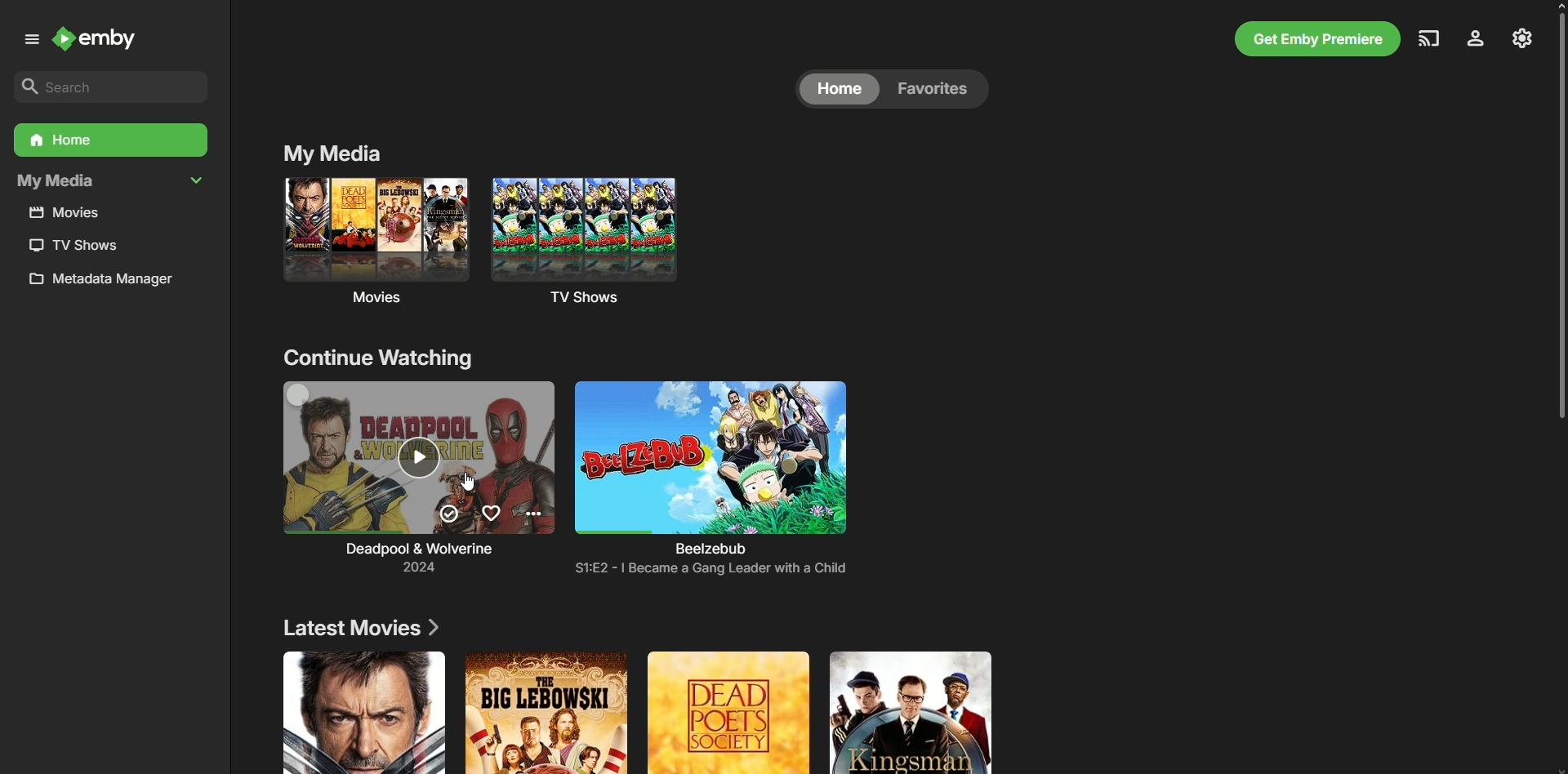  I want to click on 2024, so click(432, 567).